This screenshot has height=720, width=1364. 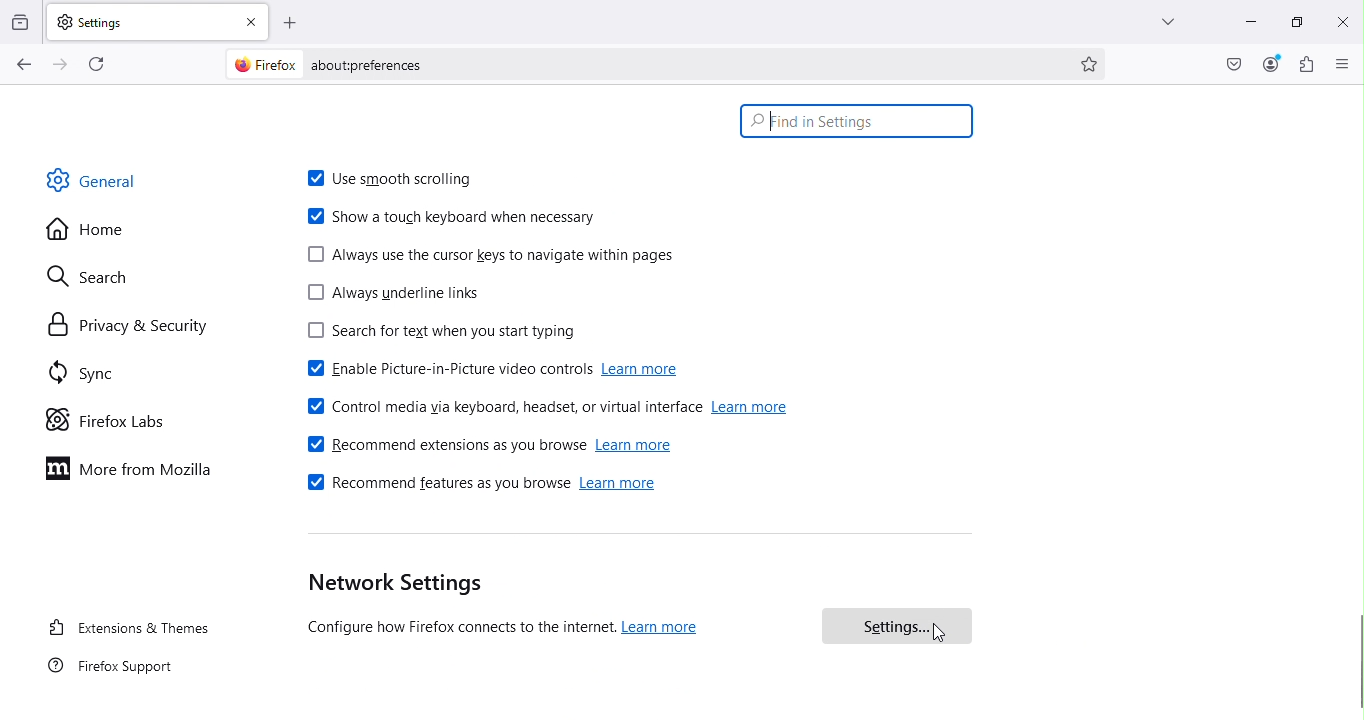 I want to click on Account, so click(x=1271, y=64).